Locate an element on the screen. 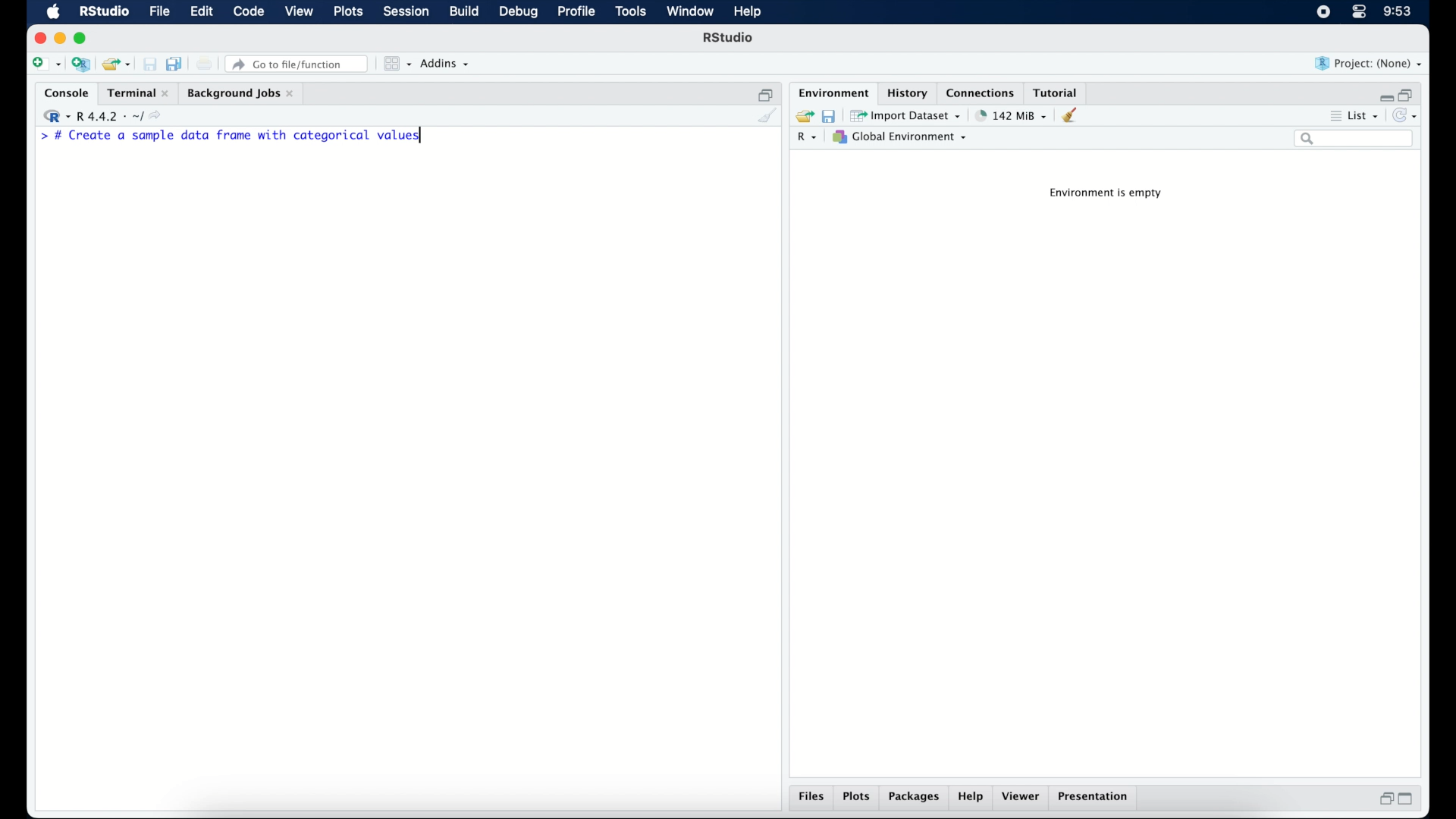  new file is located at coordinates (45, 63).